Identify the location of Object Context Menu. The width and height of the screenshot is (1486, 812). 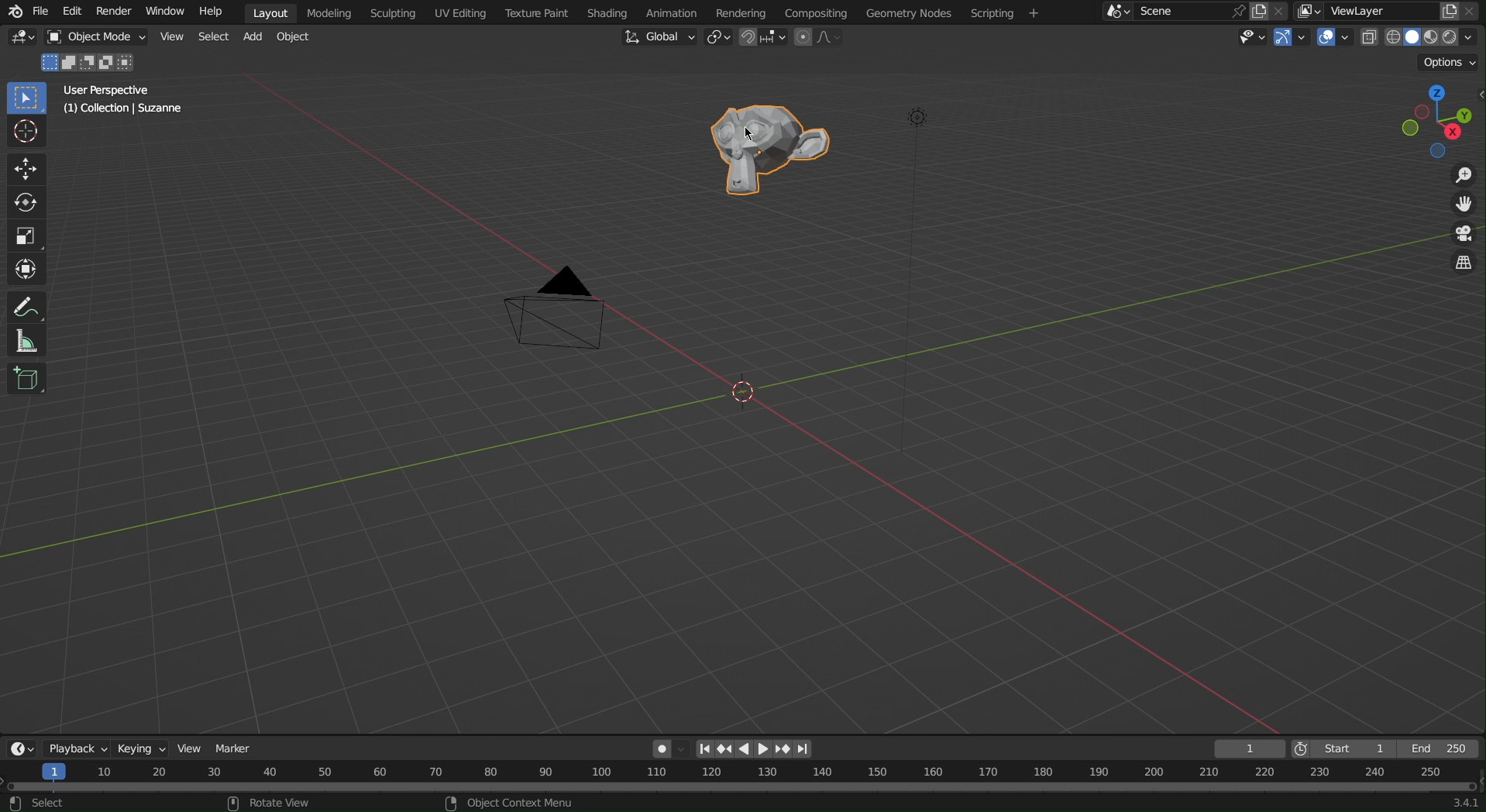
(521, 802).